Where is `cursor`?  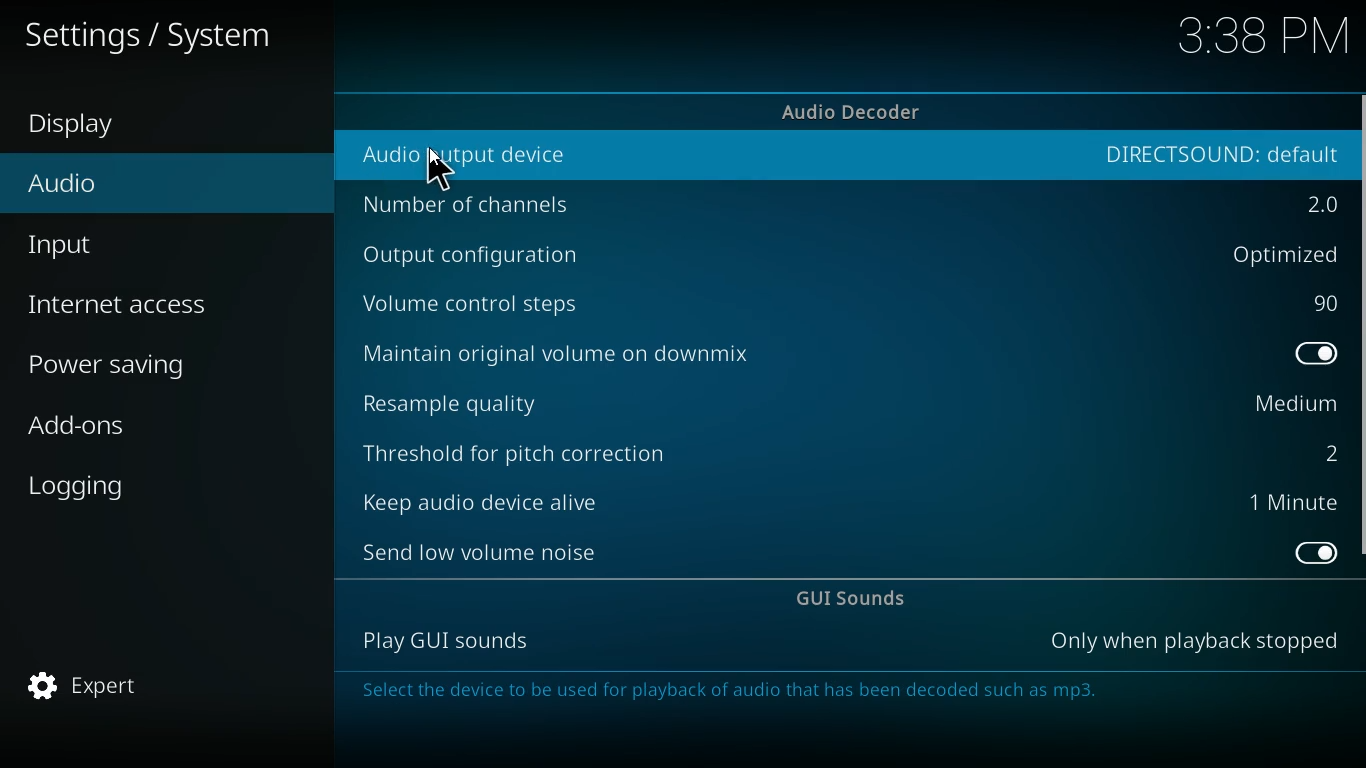 cursor is located at coordinates (444, 173).